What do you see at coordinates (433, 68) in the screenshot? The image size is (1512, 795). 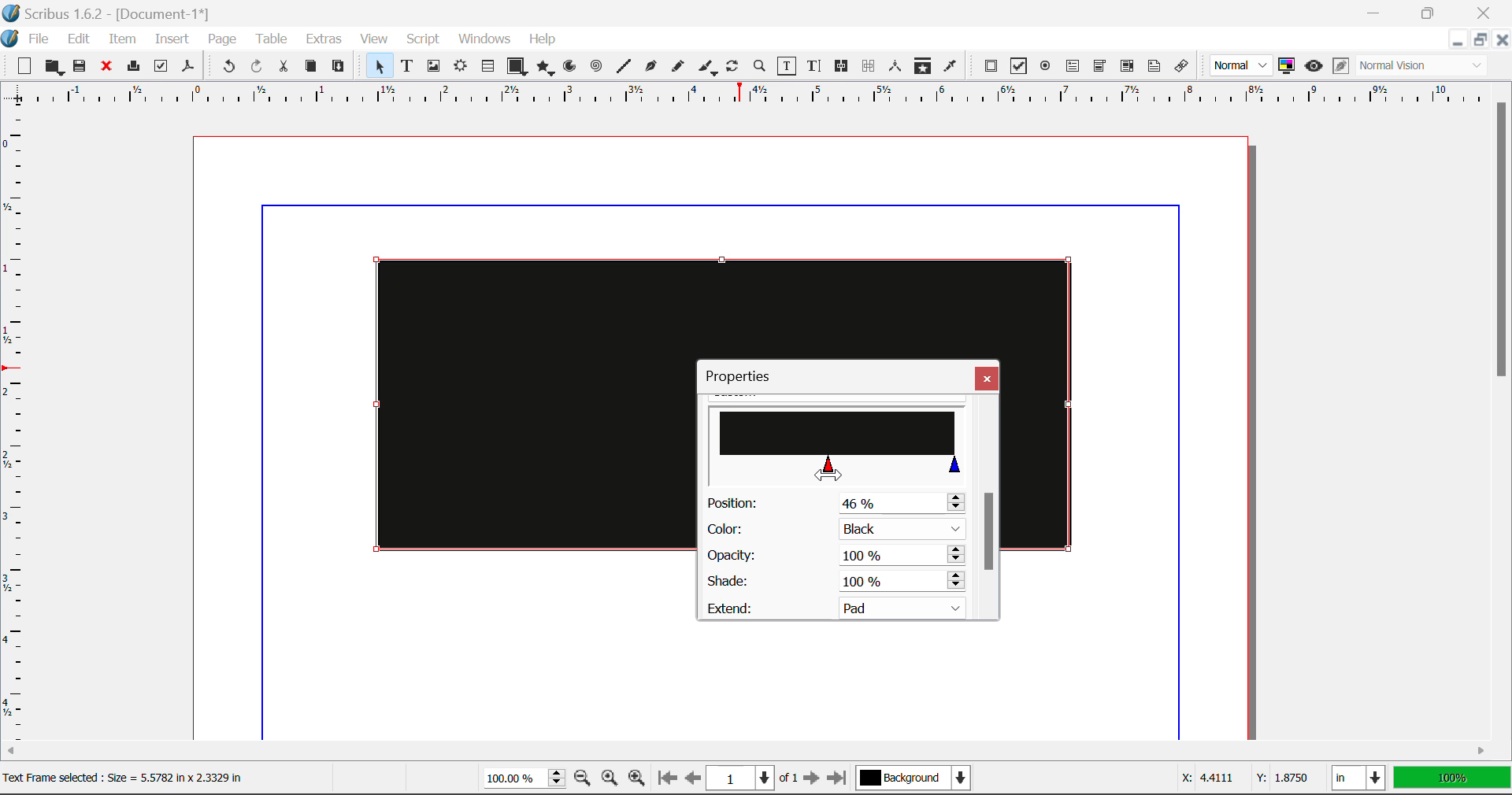 I see `Image Frame` at bounding box center [433, 68].